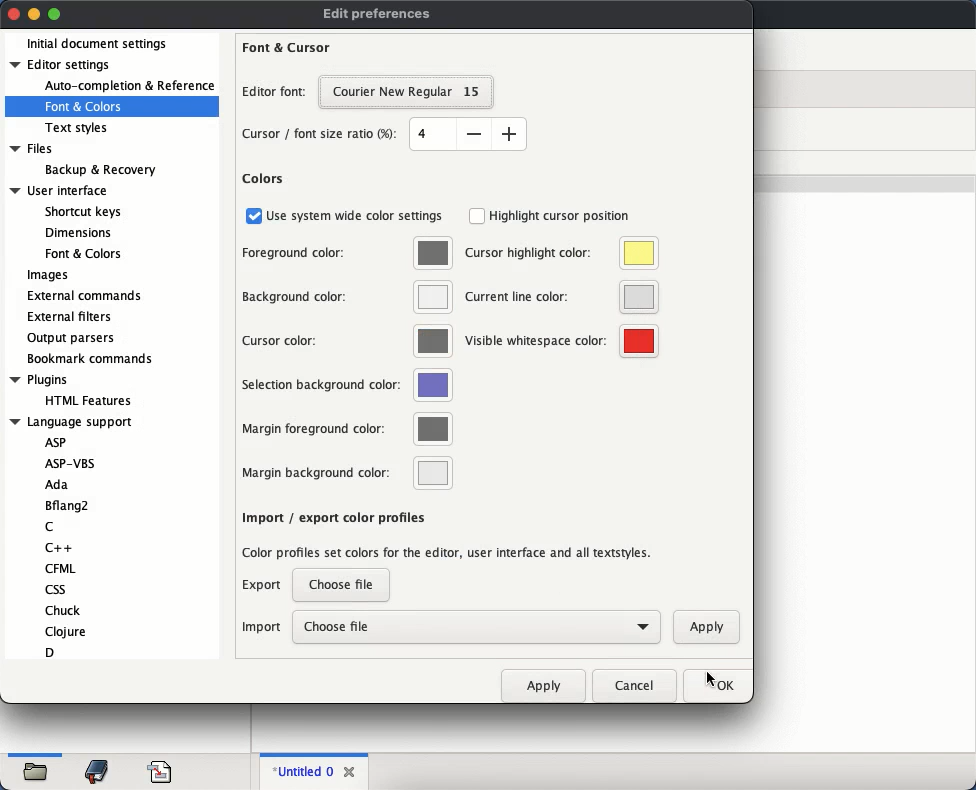 The image size is (976, 790). What do you see at coordinates (64, 64) in the screenshot?
I see `editor settings` at bounding box center [64, 64].